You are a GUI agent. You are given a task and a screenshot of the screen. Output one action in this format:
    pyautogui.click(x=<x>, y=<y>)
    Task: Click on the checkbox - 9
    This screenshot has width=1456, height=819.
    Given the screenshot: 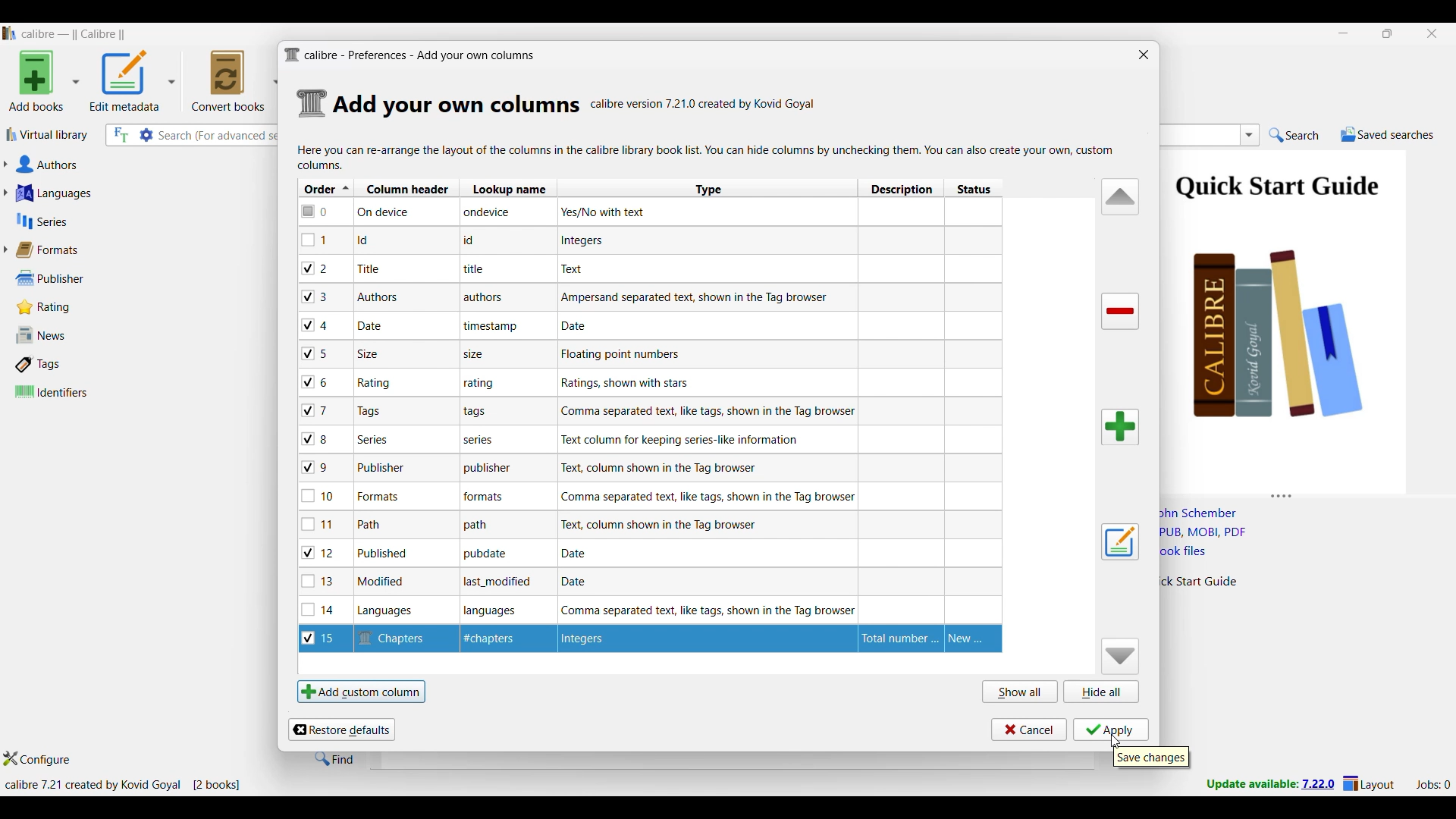 What is the action you would take?
    pyautogui.click(x=315, y=468)
    